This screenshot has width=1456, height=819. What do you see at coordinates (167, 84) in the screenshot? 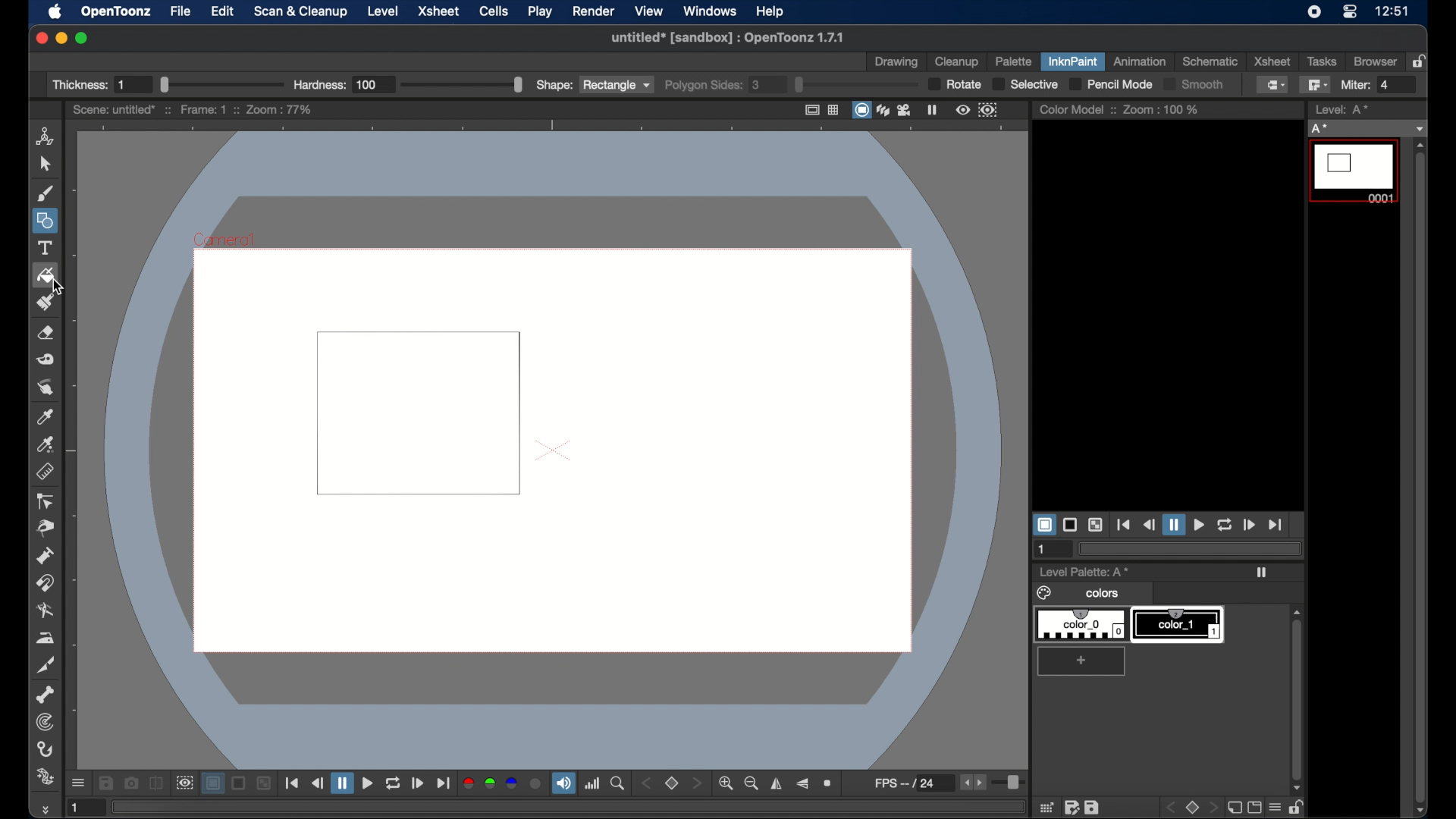
I see `Thickness` at bounding box center [167, 84].